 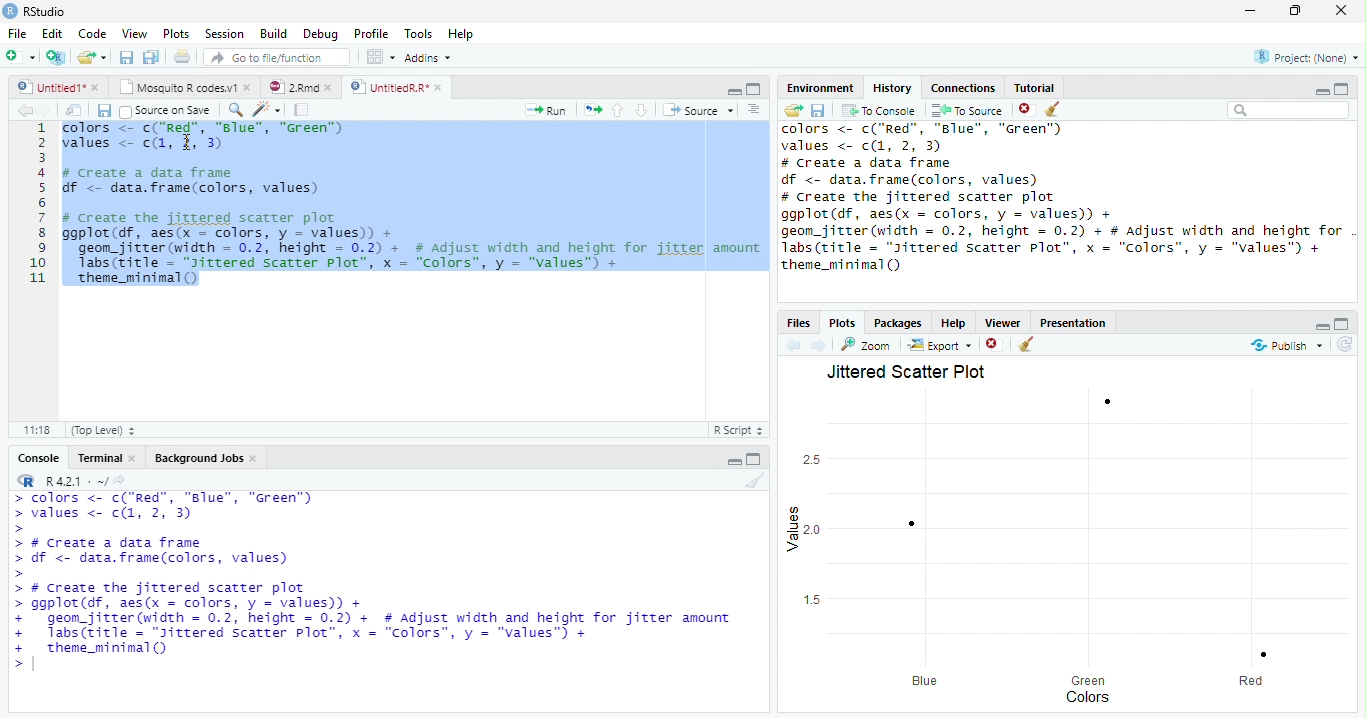 What do you see at coordinates (1063, 198) in the screenshot?
I see `colors <- c("rRed”, "Blue", "Green”)

values <= c(1, 2, 3)

# Create a data frame

df <- data.frame(colors, values)

# Create the jittered scatter plot

9gp1oT(df, aes(x = colors, y = values)) +

geom_jitter (width = 0.2, height = 0.2) + # Adjust width and height for
labs (title = "Jittered scatter Plot”, x = “Colors”, y = "values™) +
theme_minimal()` at bounding box center [1063, 198].